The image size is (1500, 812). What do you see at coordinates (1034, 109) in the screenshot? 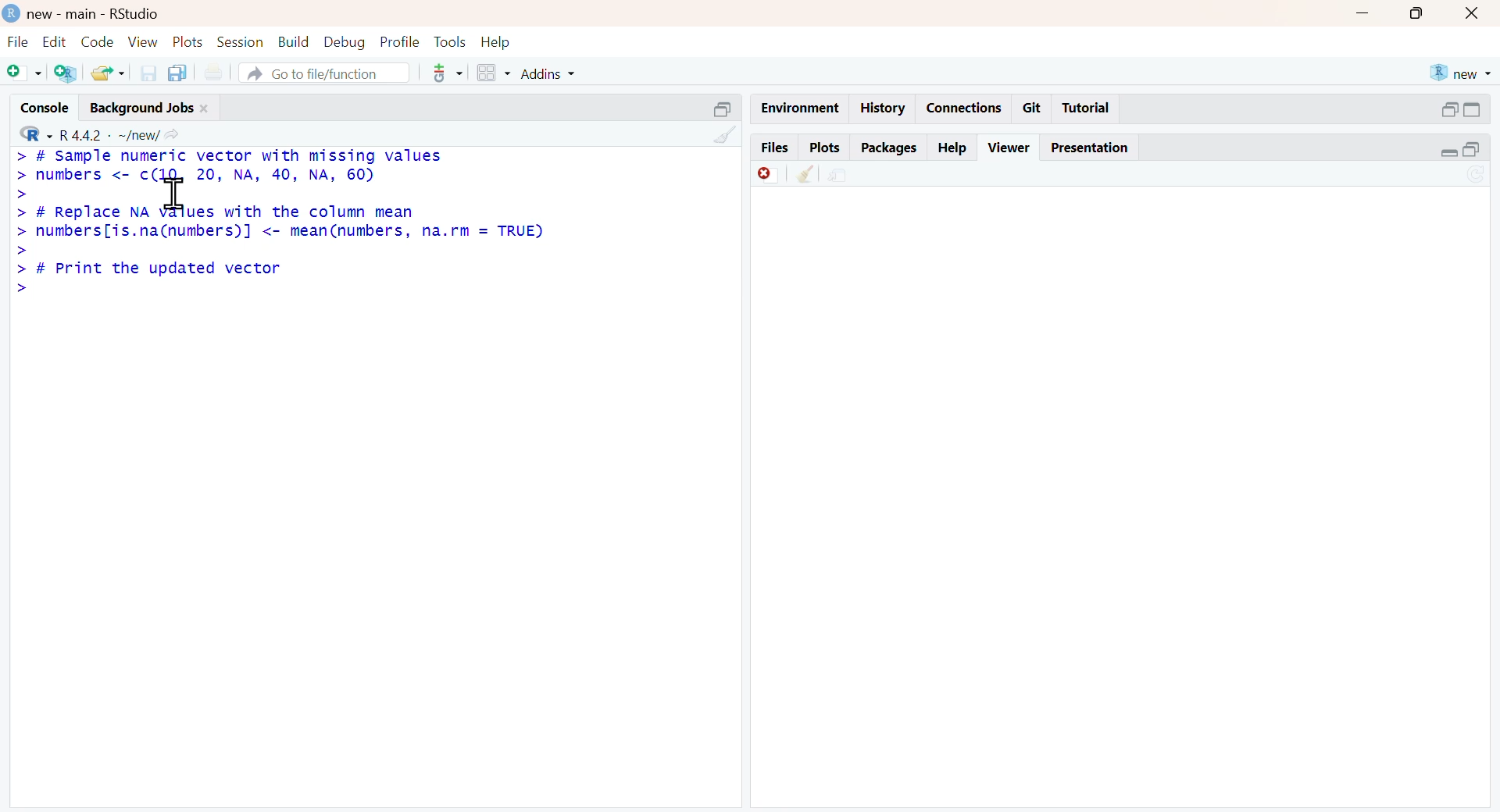
I see `git` at bounding box center [1034, 109].